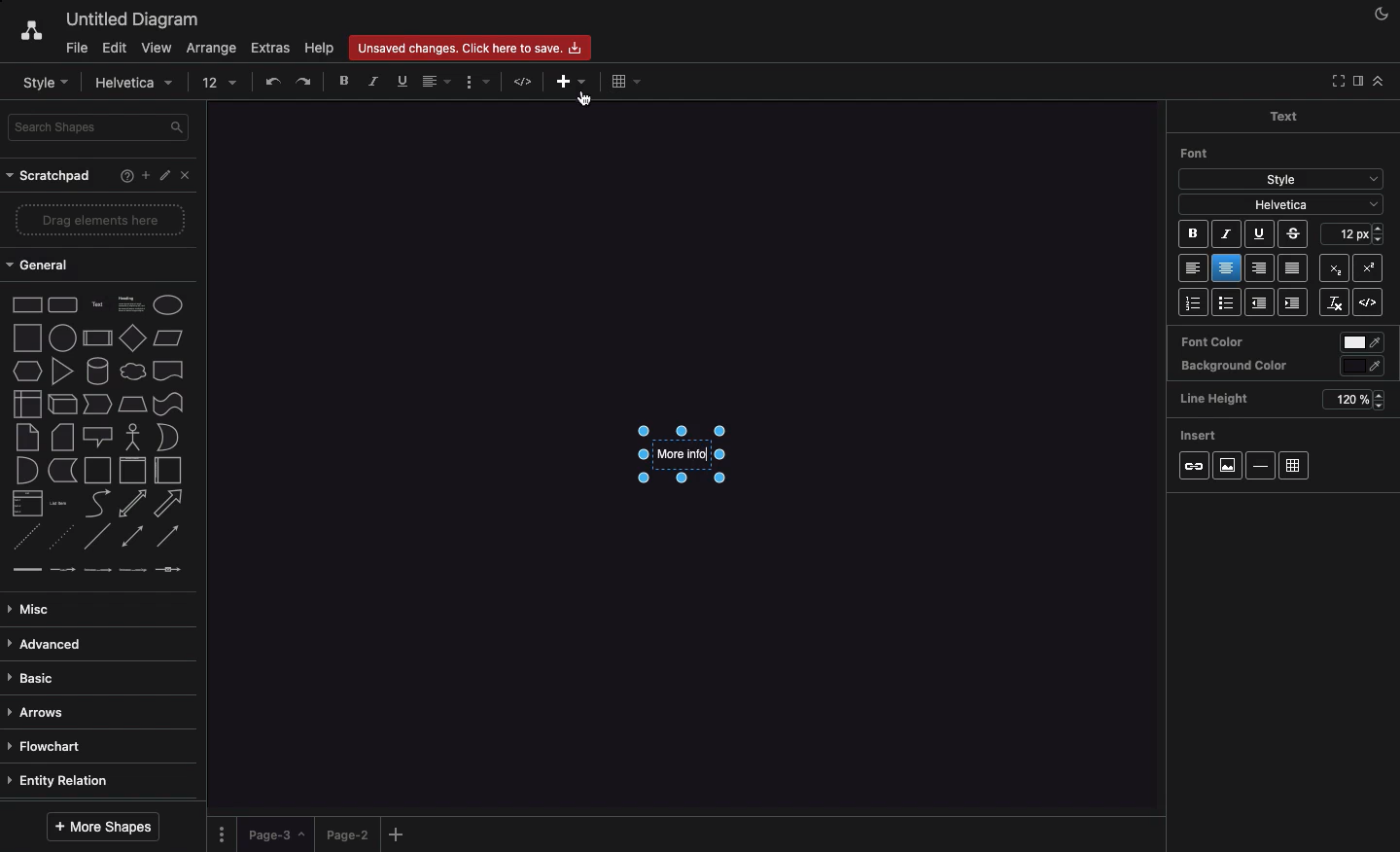 This screenshot has height=852, width=1400. I want to click on Subscript, so click(1373, 265).